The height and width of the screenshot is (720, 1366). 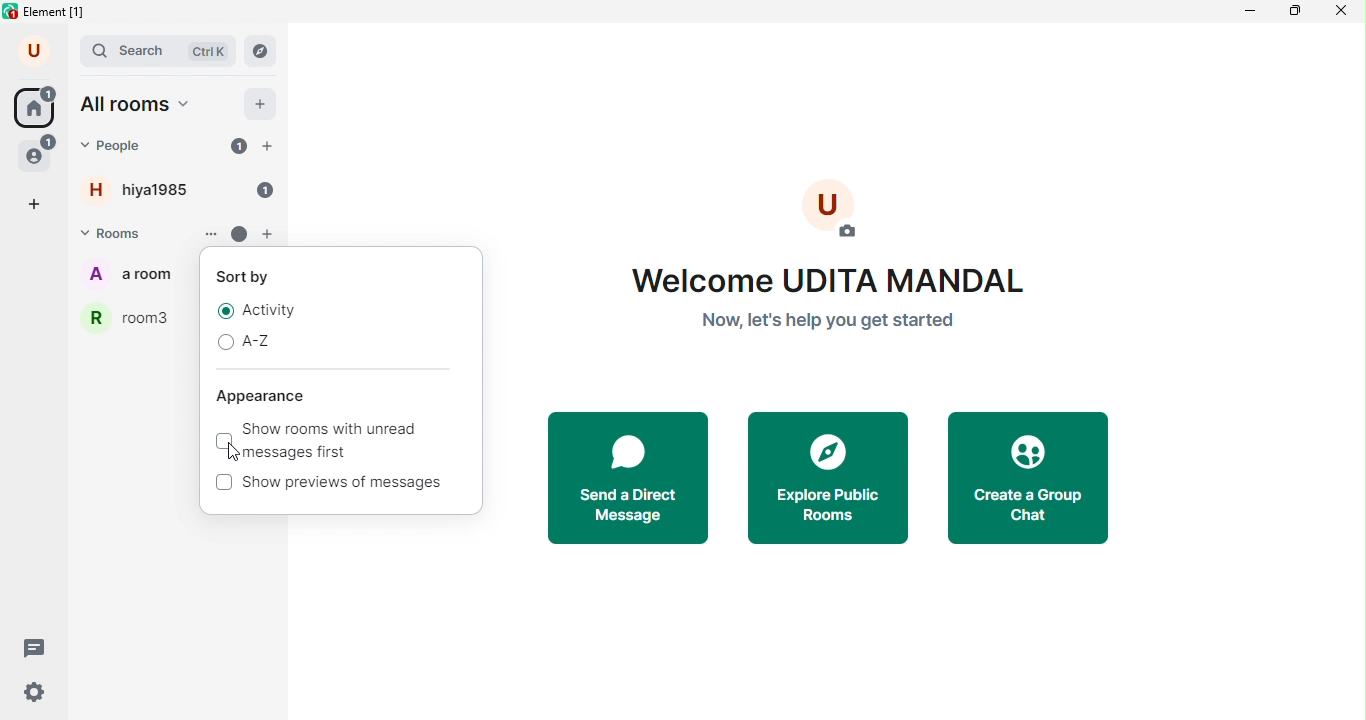 I want to click on close, so click(x=1340, y=12).